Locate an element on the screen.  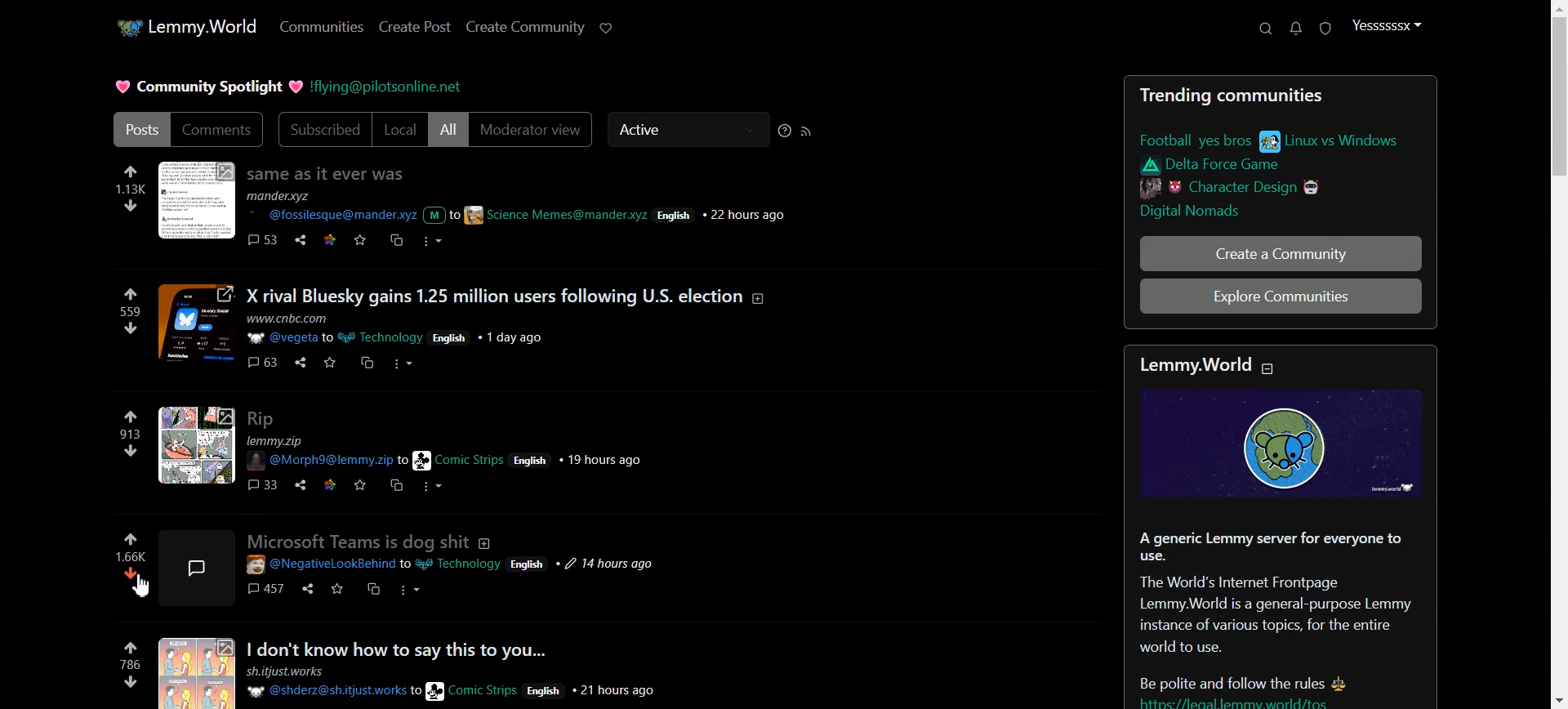
link is located at coordinates (1223, 165).